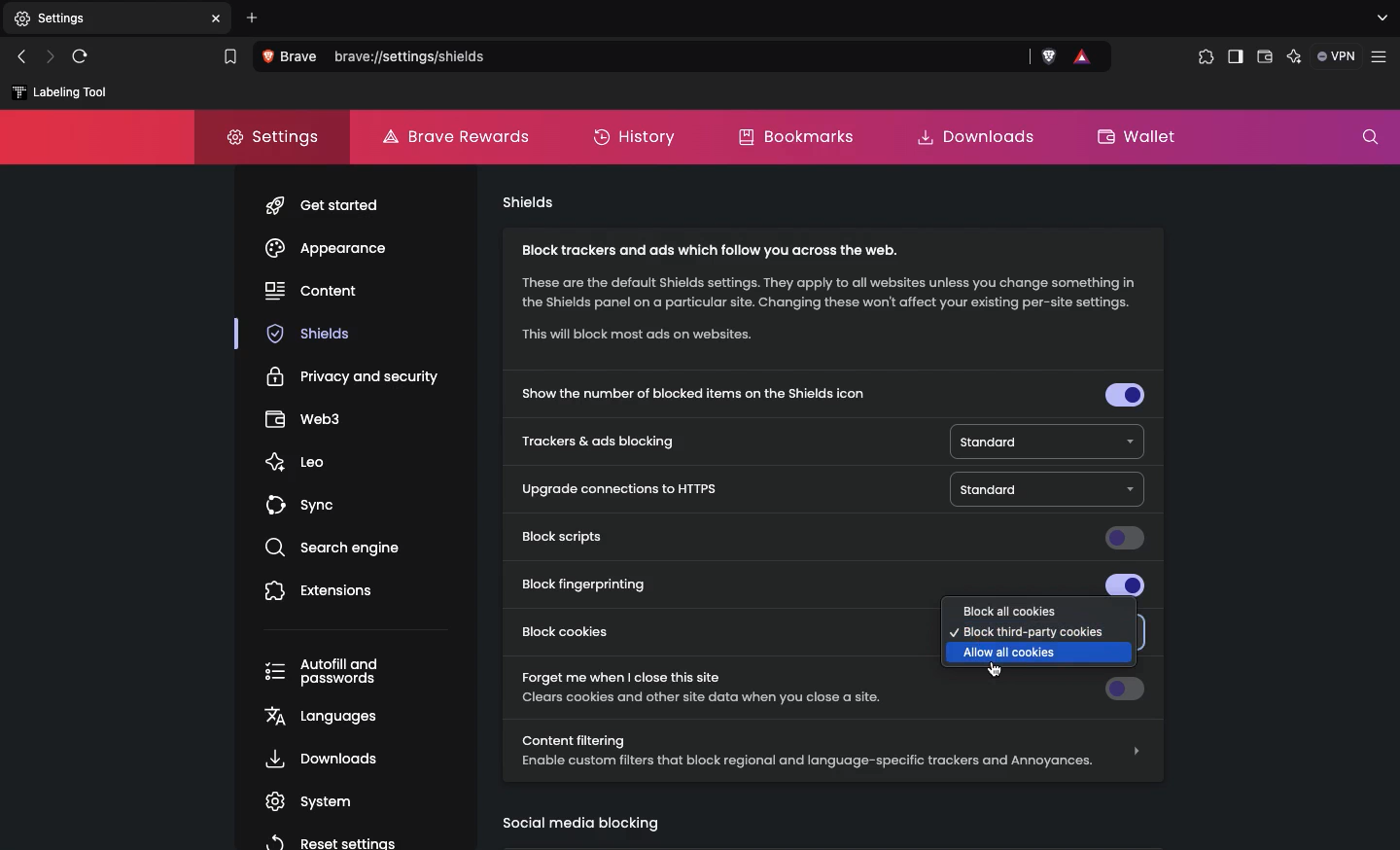 The image size is (1400, 850). What do you see at coordinates (601, 443) in the screenshot?
I see `Trackers and ads blocking` at bounding box center [601, 443].